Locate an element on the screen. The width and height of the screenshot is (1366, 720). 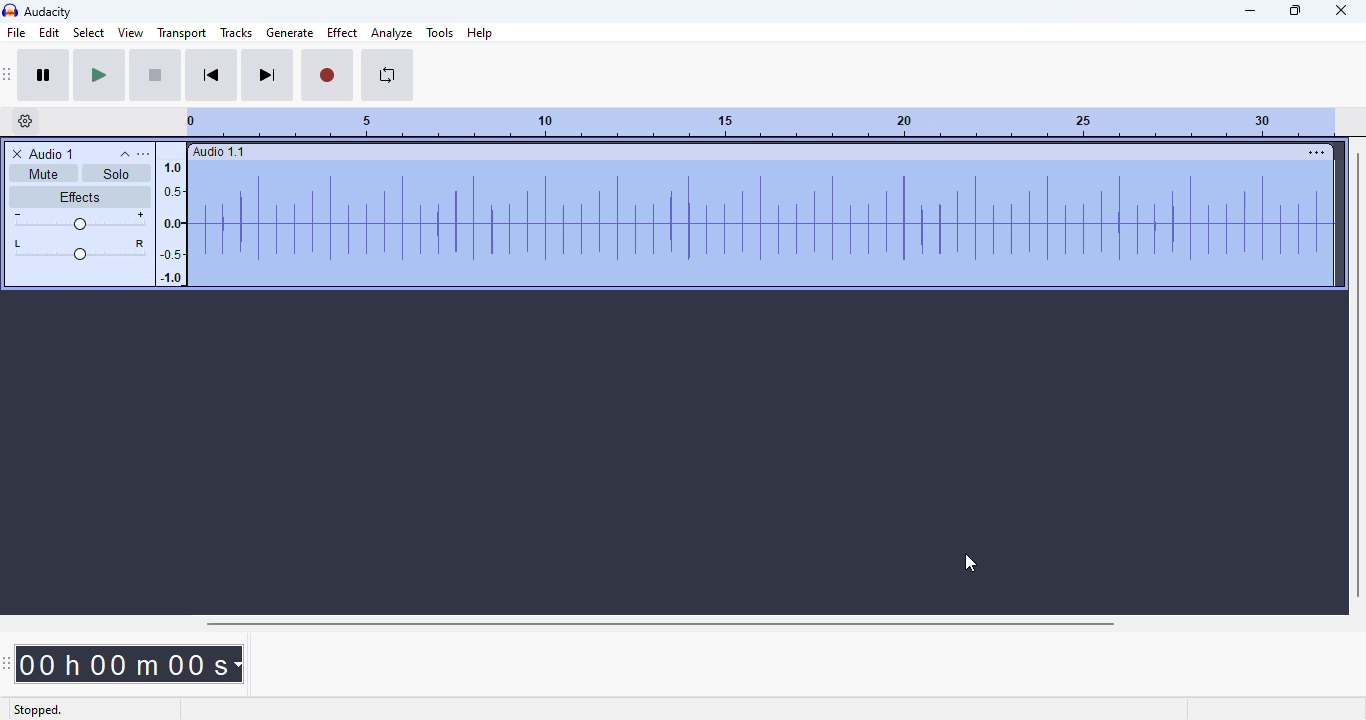
audacity is located at coordinates (49, 11).